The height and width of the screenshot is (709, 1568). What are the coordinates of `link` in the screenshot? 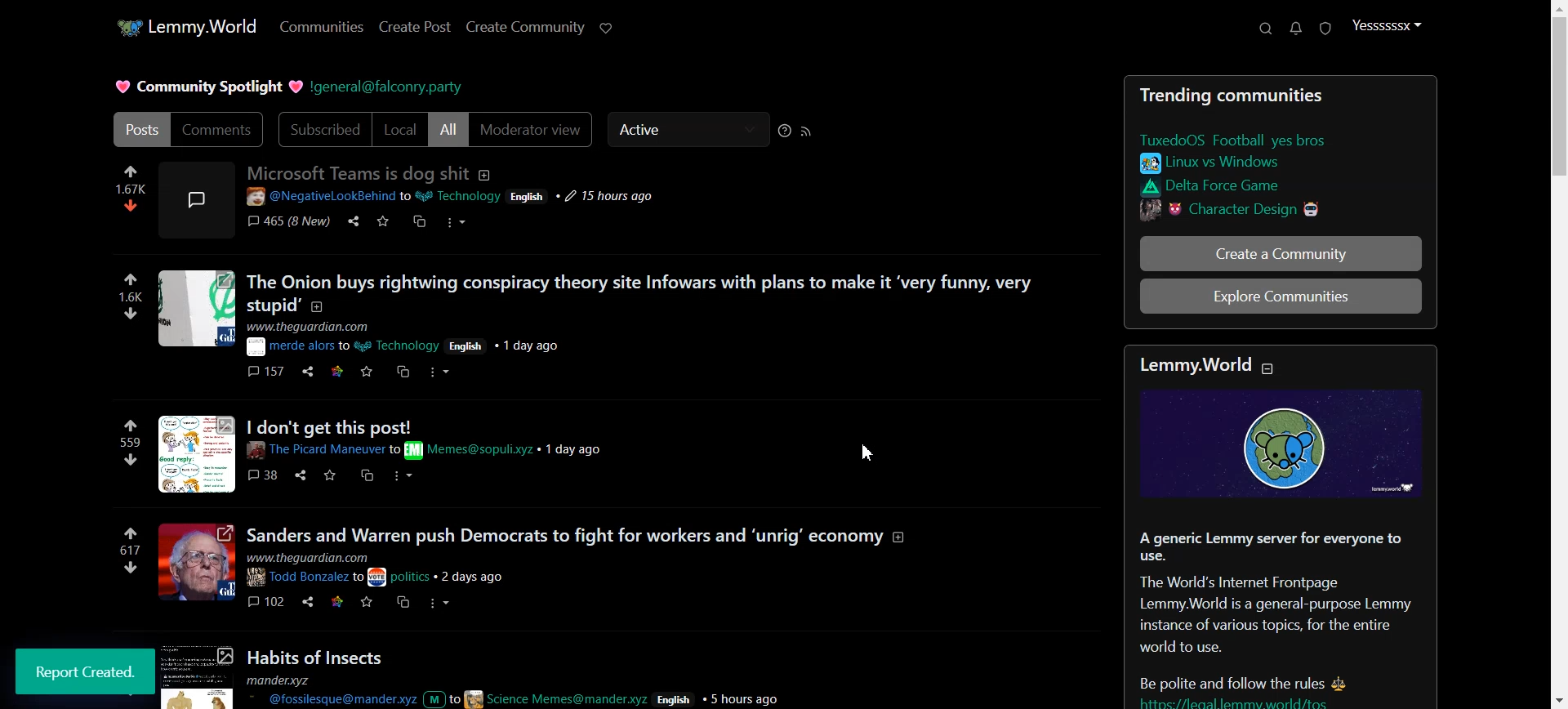 It's located at (338, 600).